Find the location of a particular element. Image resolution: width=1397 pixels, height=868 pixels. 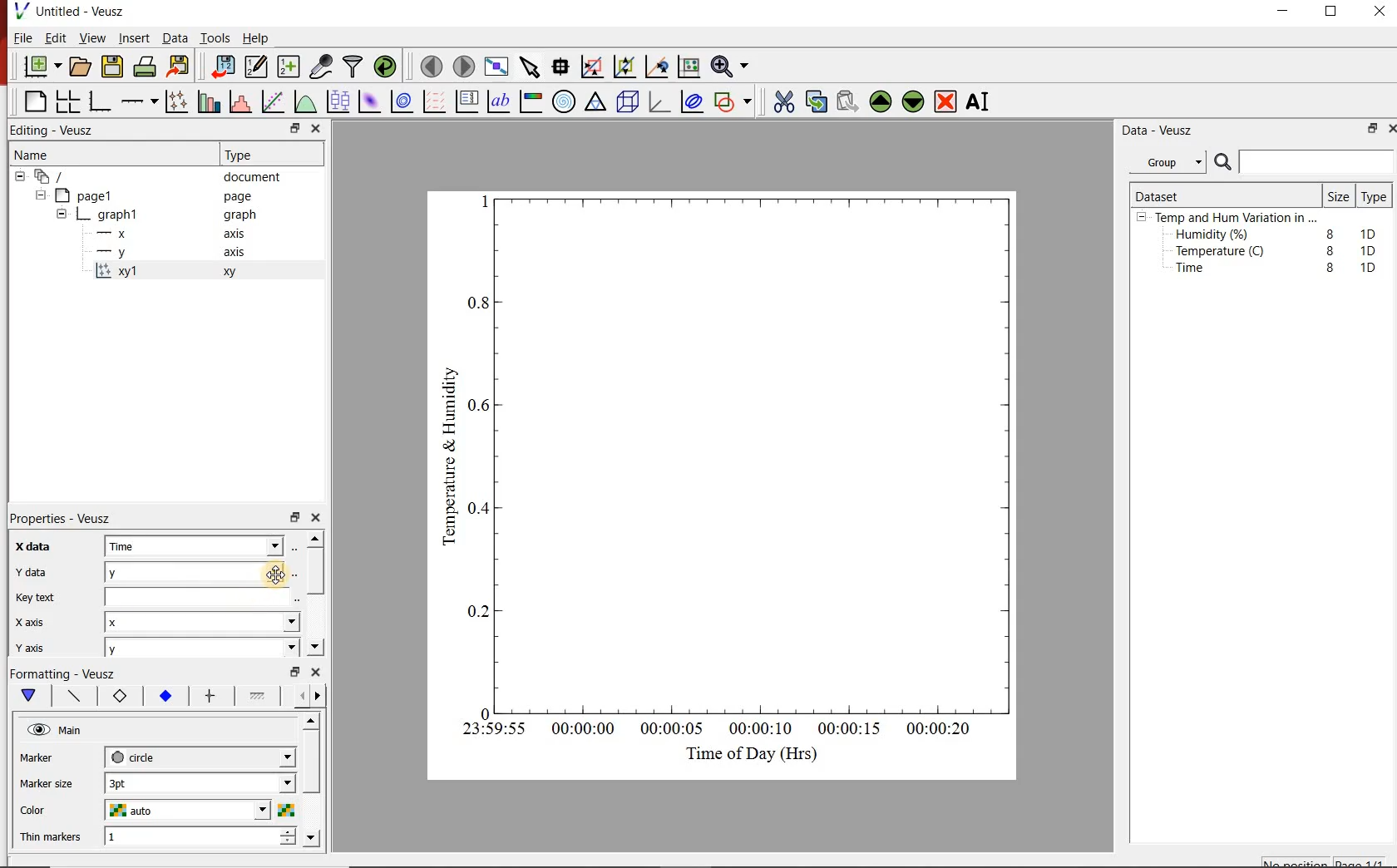

Size is located at coordinates (1337, 195).